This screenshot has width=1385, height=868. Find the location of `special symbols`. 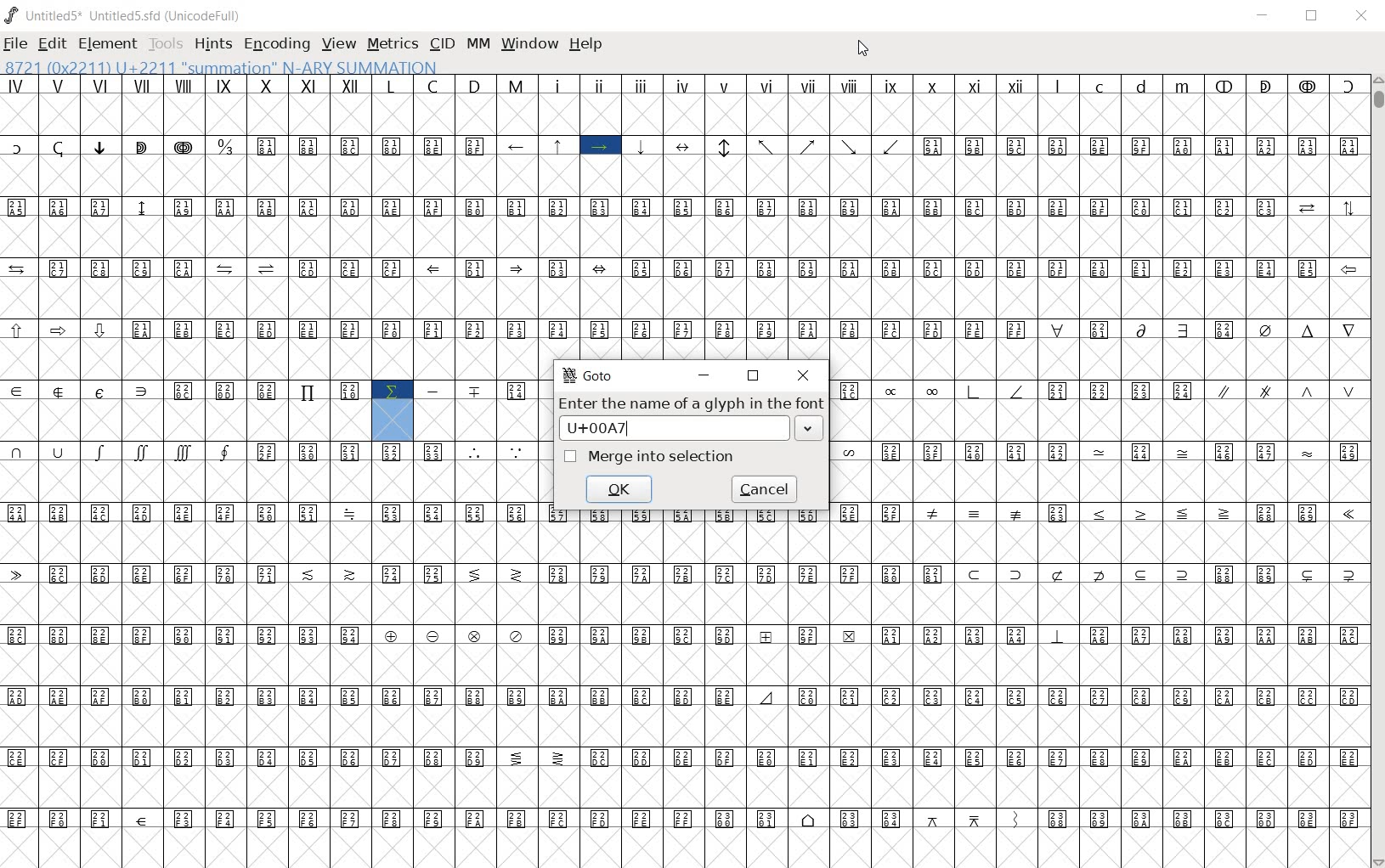

special symbols is located at coordinates (684, 148).